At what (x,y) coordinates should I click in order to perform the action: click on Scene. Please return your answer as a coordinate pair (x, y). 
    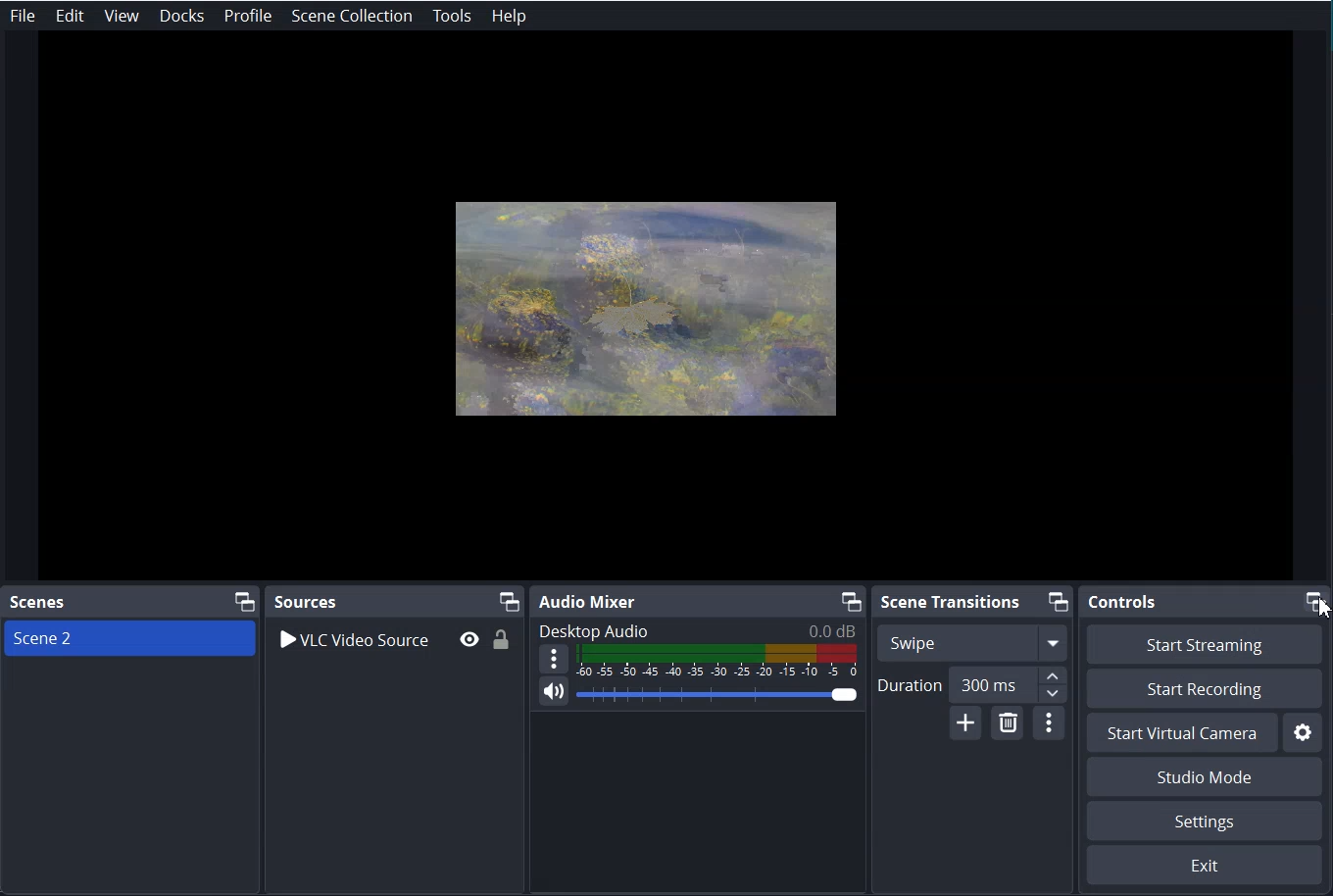
    Looking at the image, I should click on (39, 603).